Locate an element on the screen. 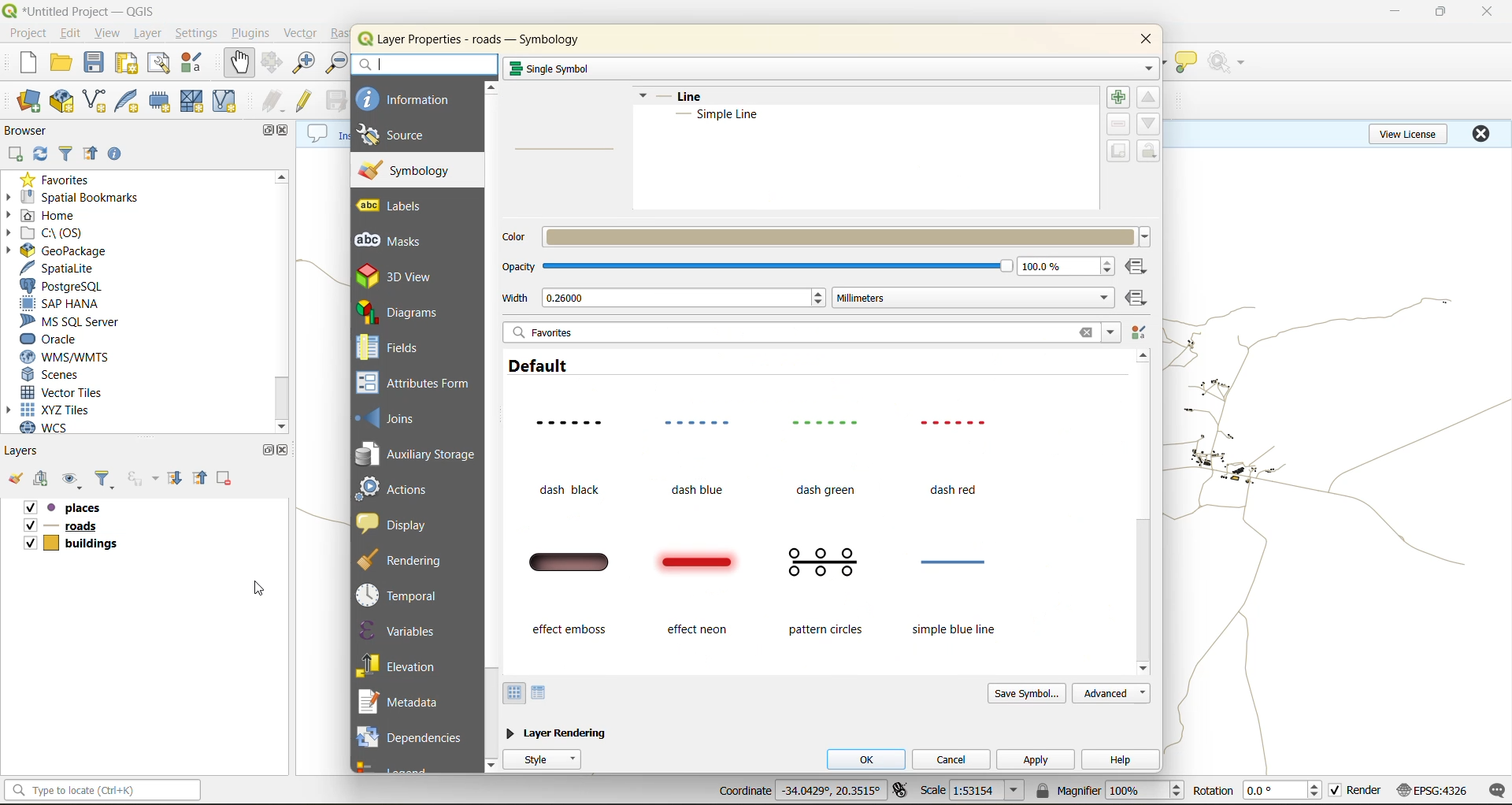 The width and height of the screenshot is (1512, 805). new is located at coordinates (26, 65).